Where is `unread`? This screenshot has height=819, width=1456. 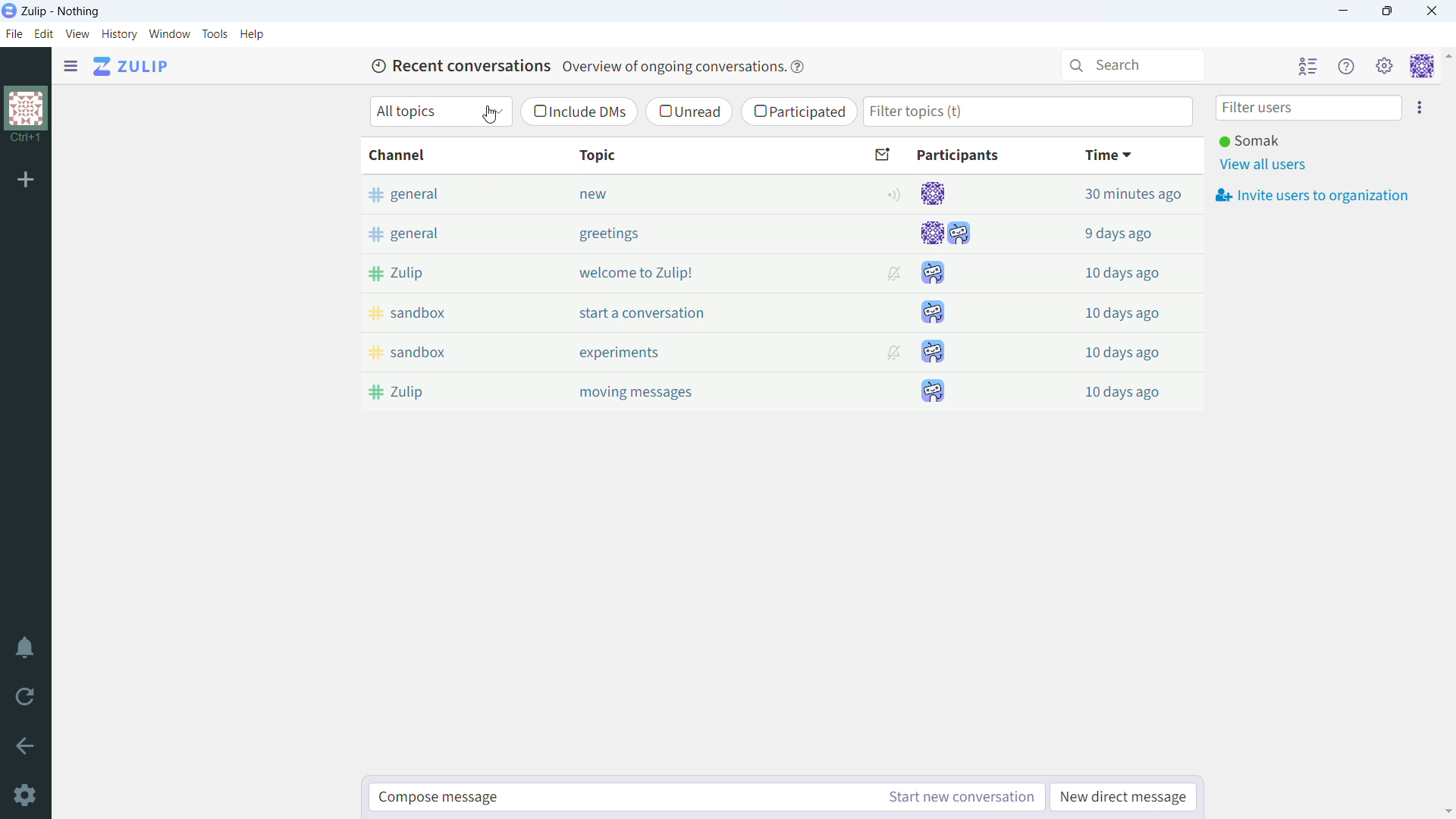 unread is located at coordinates (689, 111).